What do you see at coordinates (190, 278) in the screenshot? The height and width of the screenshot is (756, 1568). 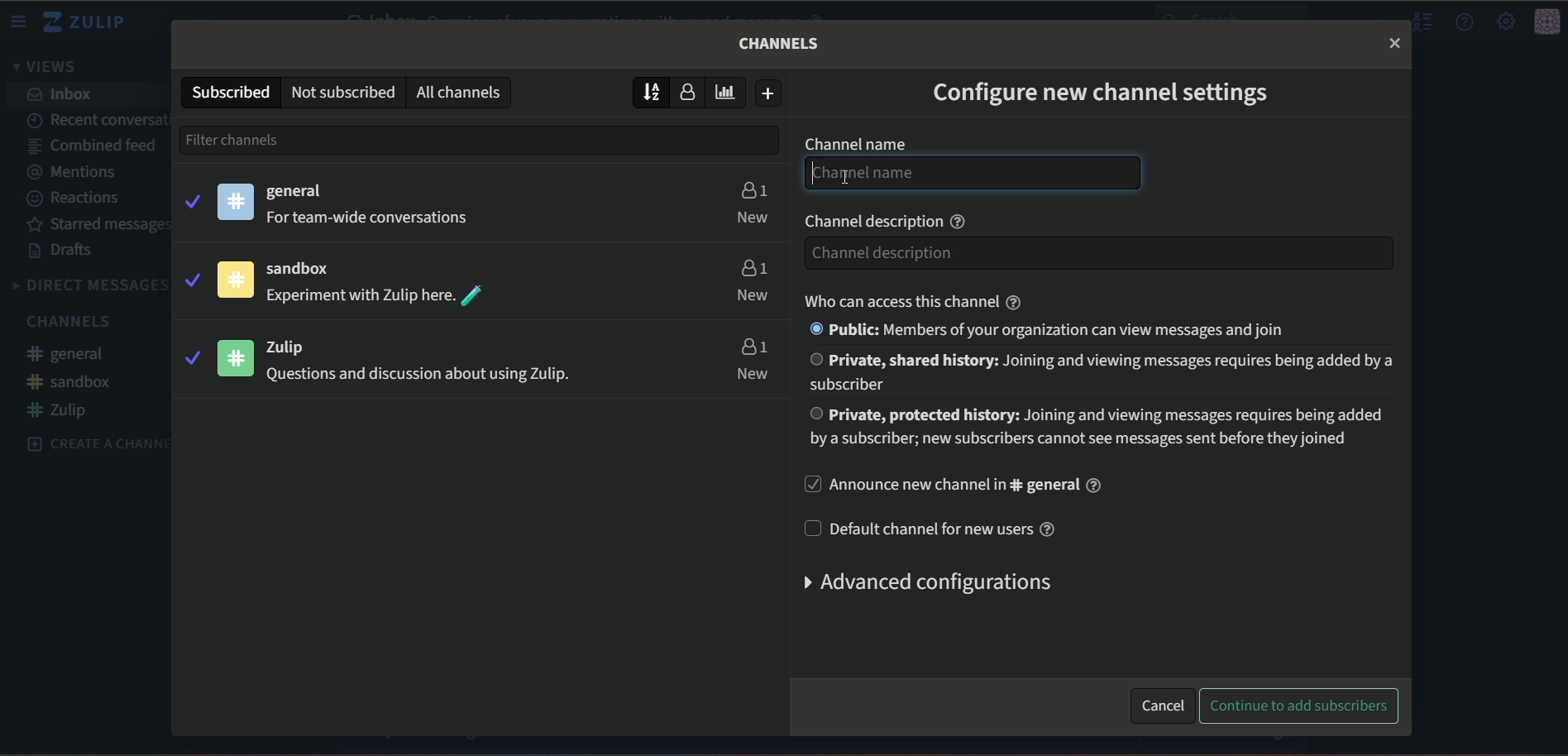 I see `tick` at bounding box center [190, 278].